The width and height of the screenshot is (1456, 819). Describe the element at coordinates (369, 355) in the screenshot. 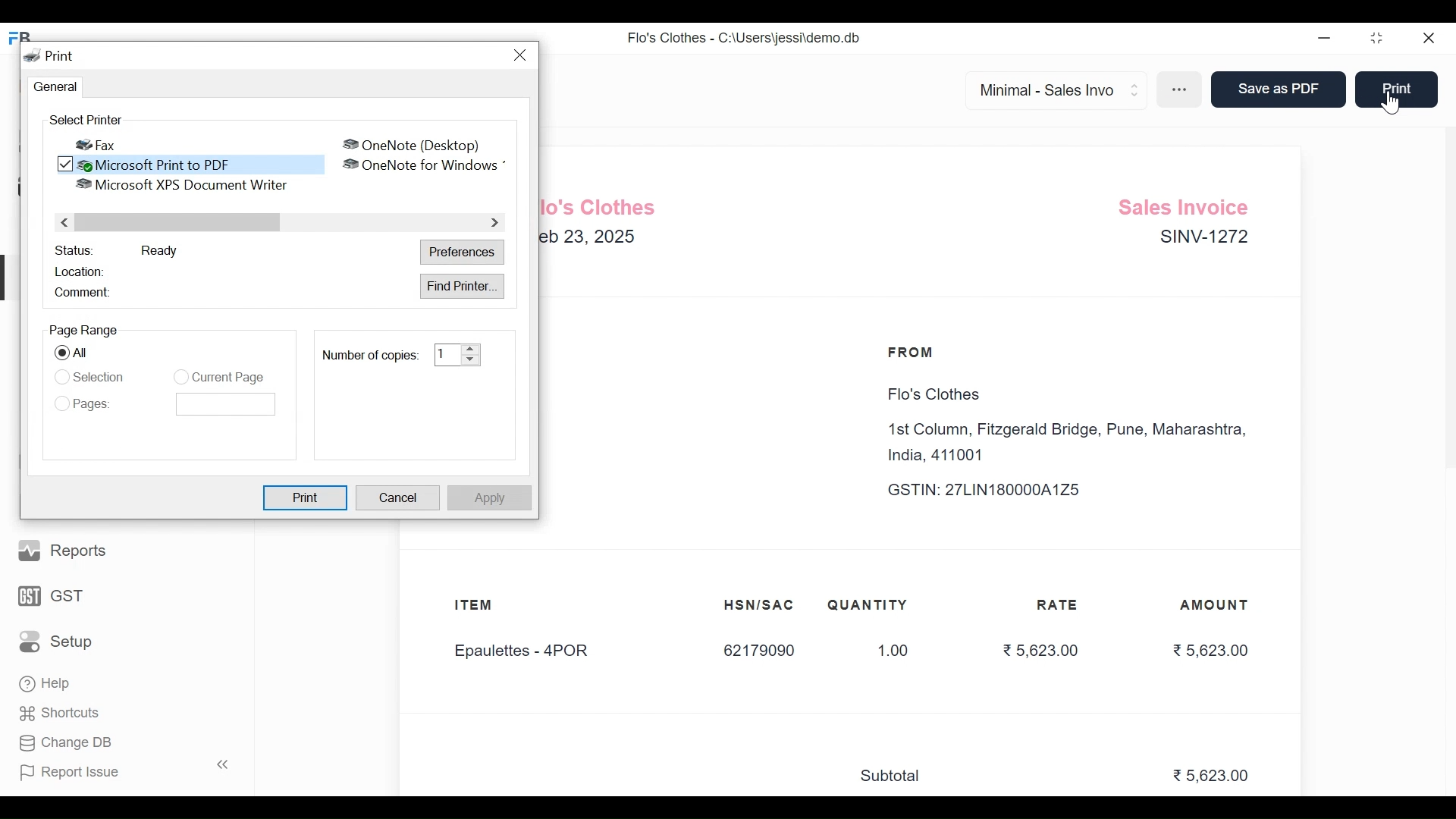

I see `Number of copies:` at that location.